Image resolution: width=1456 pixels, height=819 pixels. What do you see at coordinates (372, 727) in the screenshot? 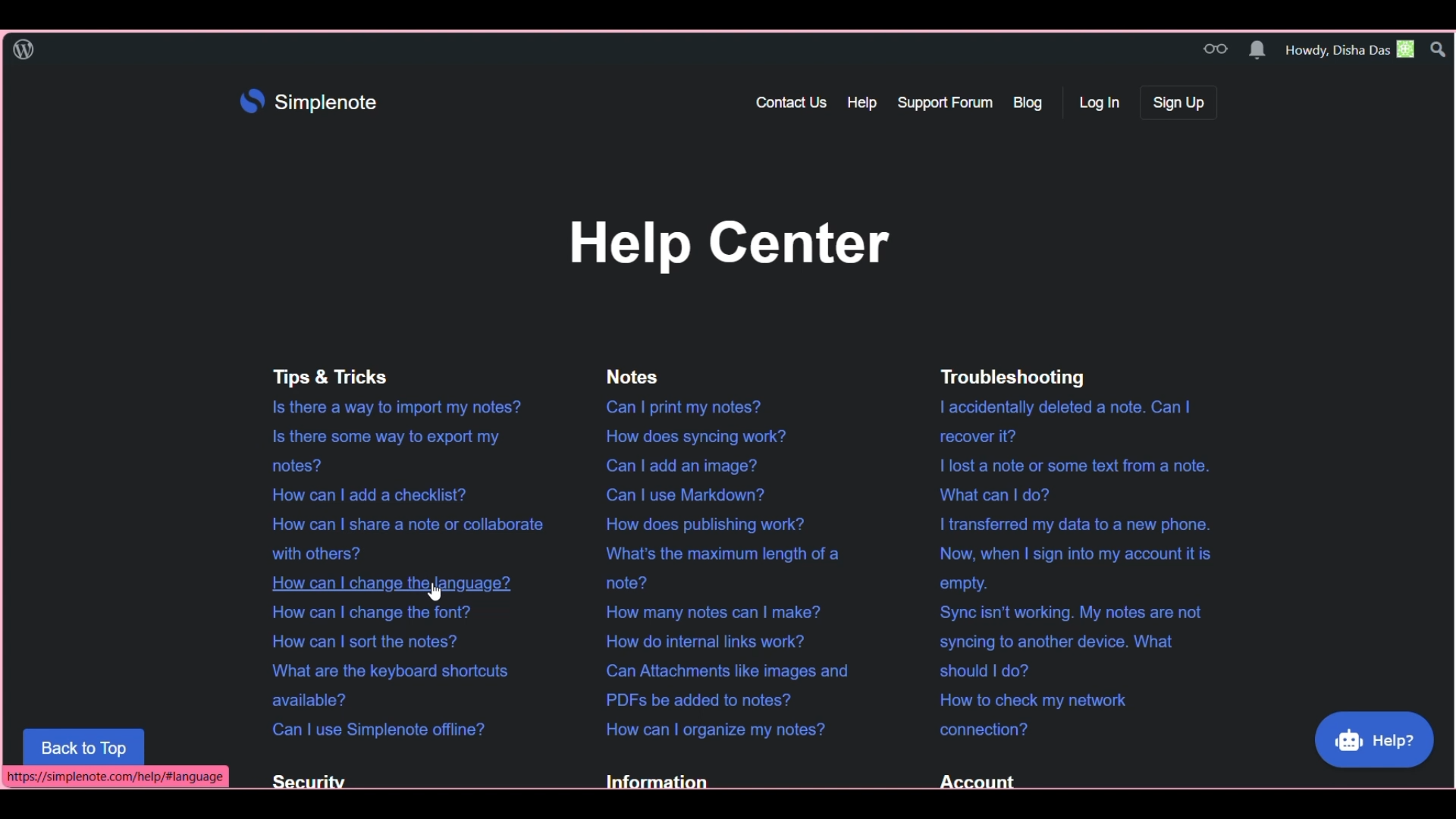
I see `Can | use Simplenote offline?` at bounding box center [372, 727].